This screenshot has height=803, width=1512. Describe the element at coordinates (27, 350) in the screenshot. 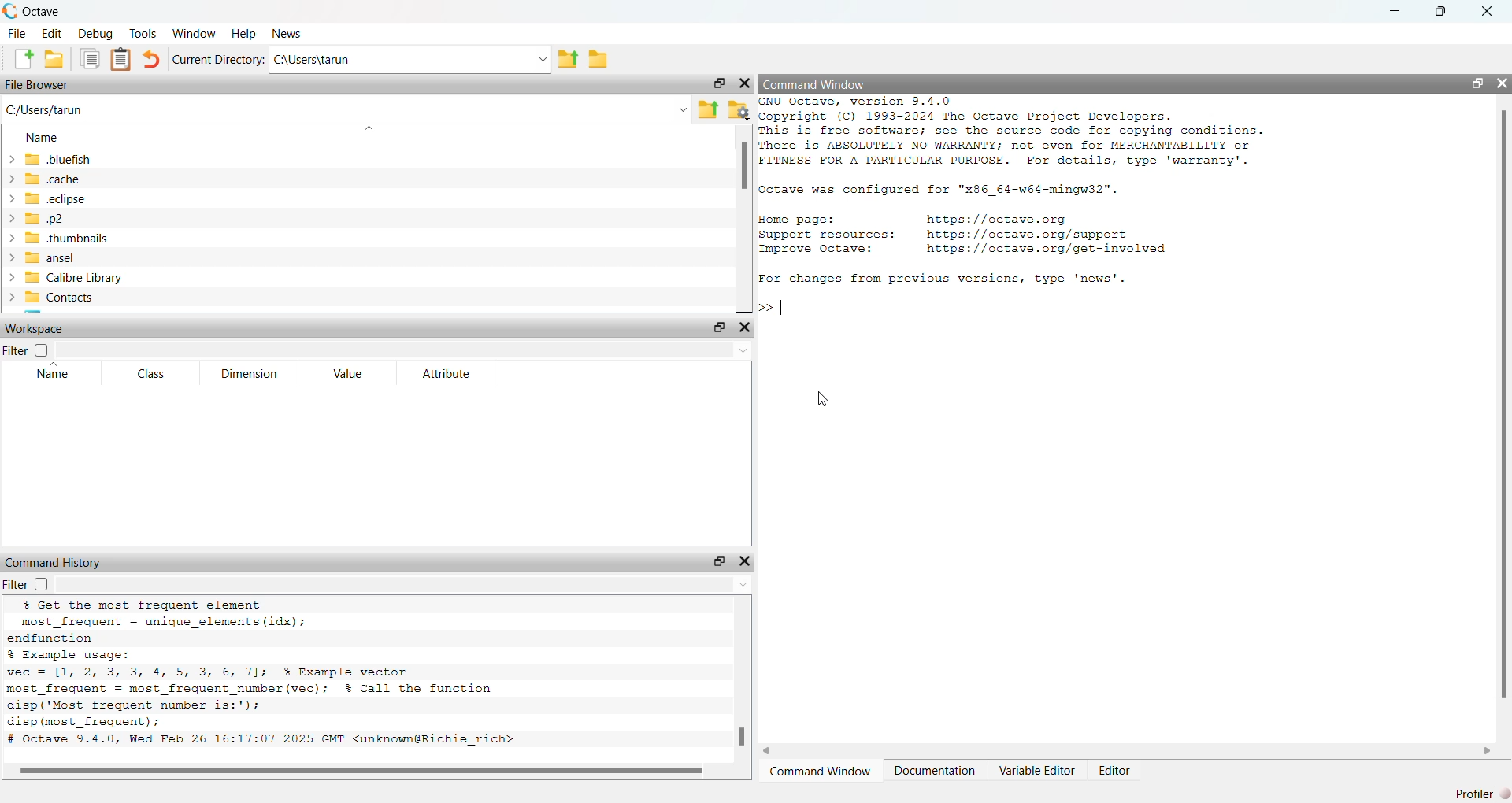

I see `Filter` at that location.